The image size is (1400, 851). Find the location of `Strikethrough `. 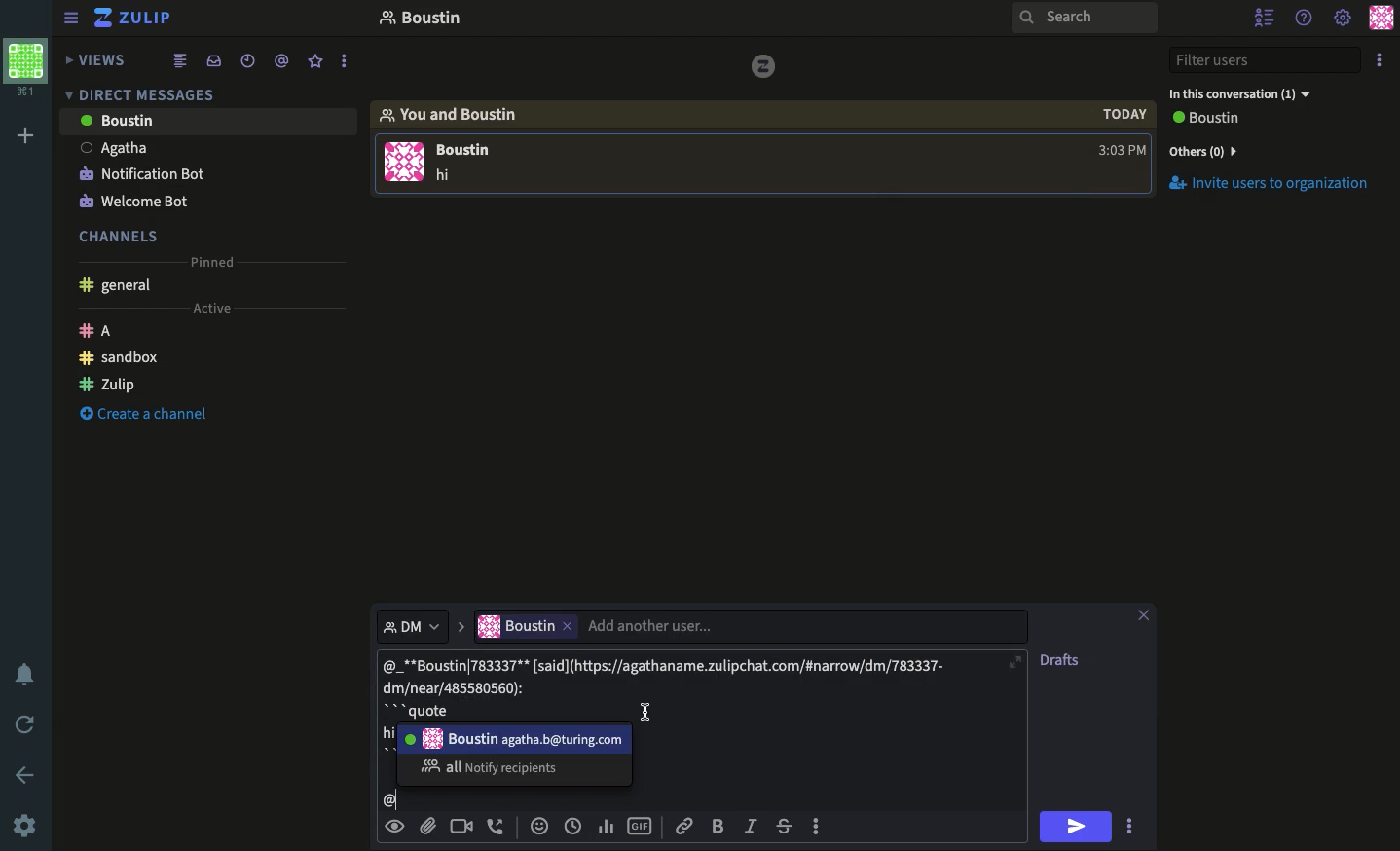

Strikethrough  is located at coordinates (787, 828).